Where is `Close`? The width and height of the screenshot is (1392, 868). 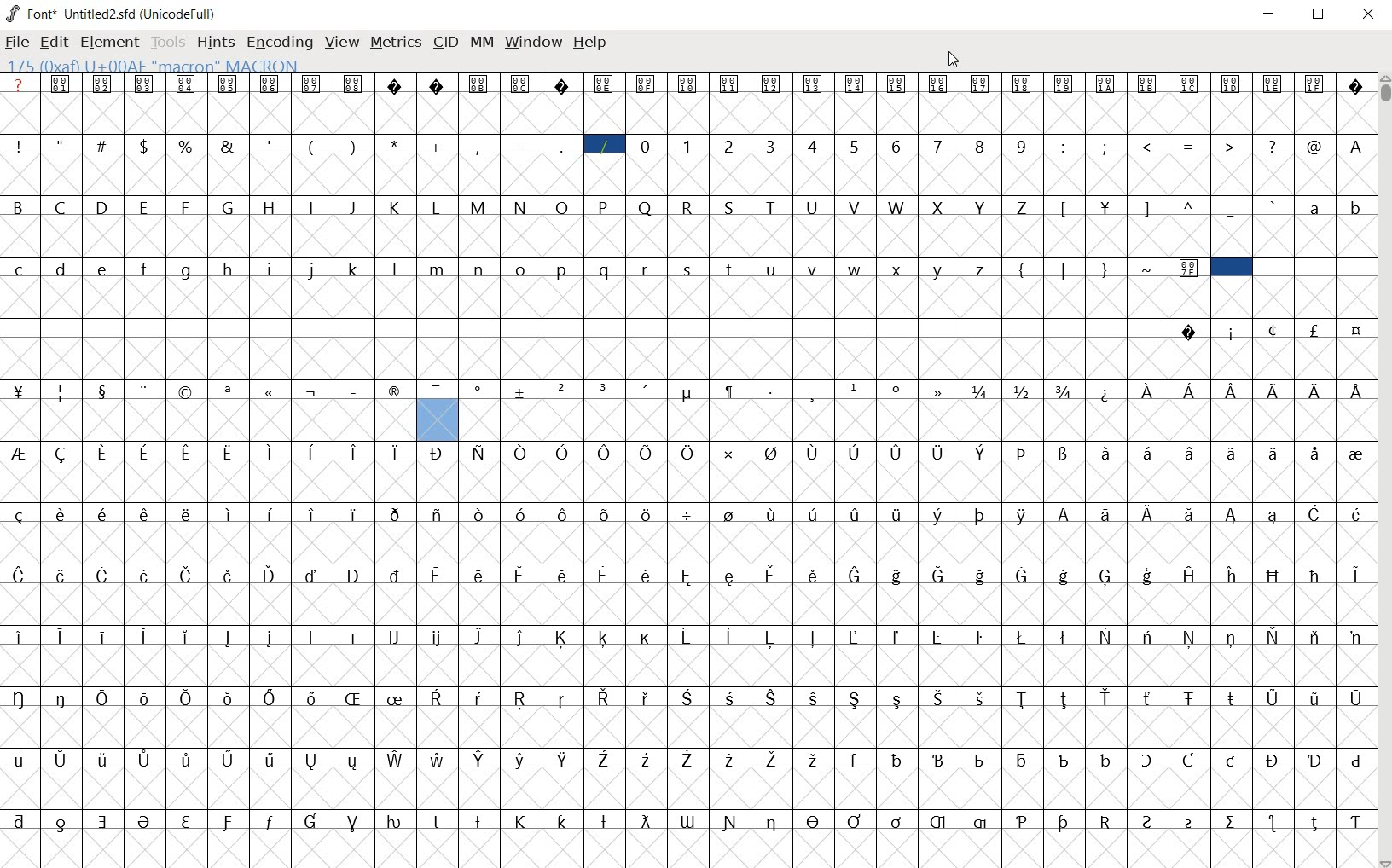 Close is located at coordinates (1368, 14).